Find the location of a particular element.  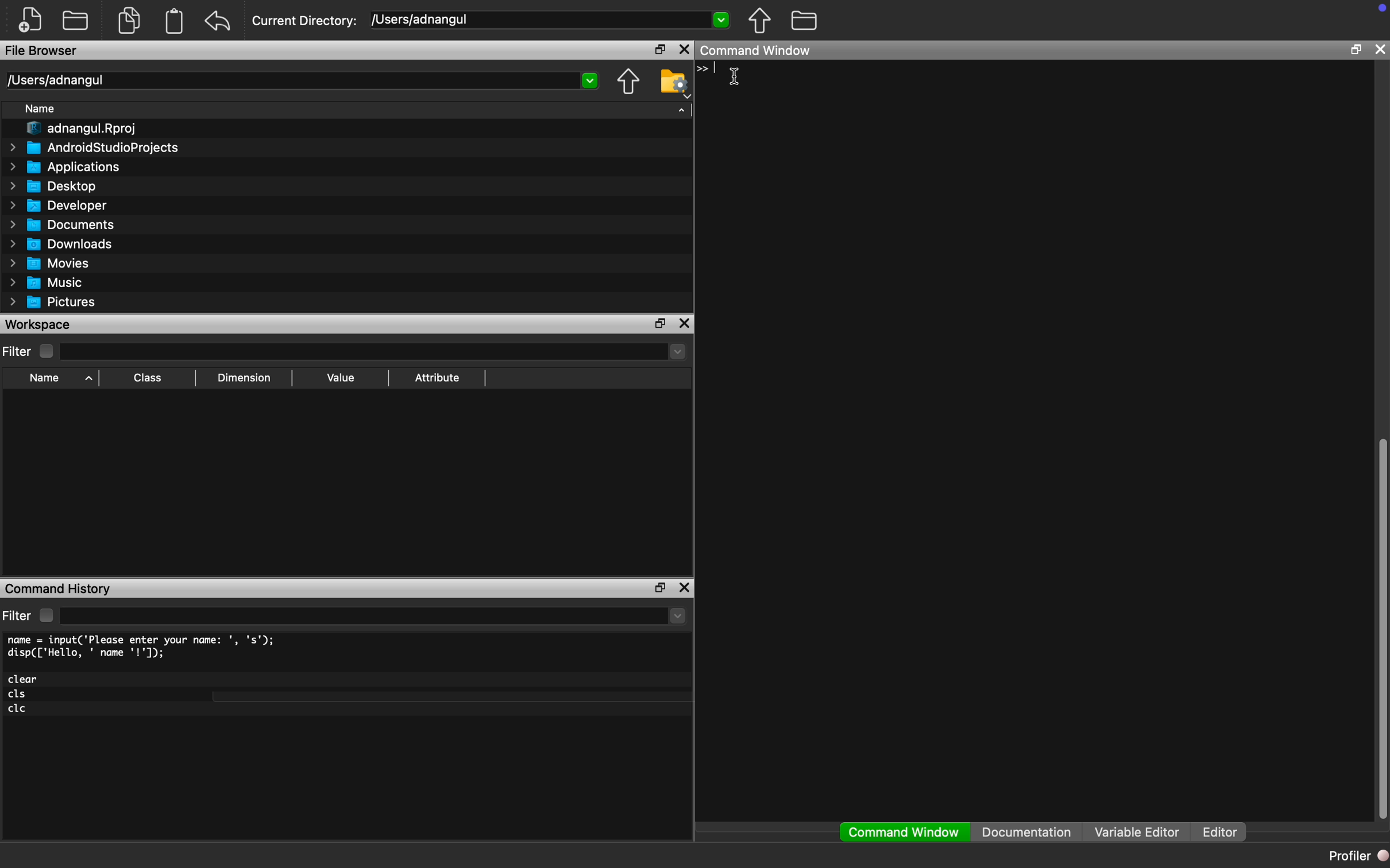

Previous file is located at coordinates (628, 82).